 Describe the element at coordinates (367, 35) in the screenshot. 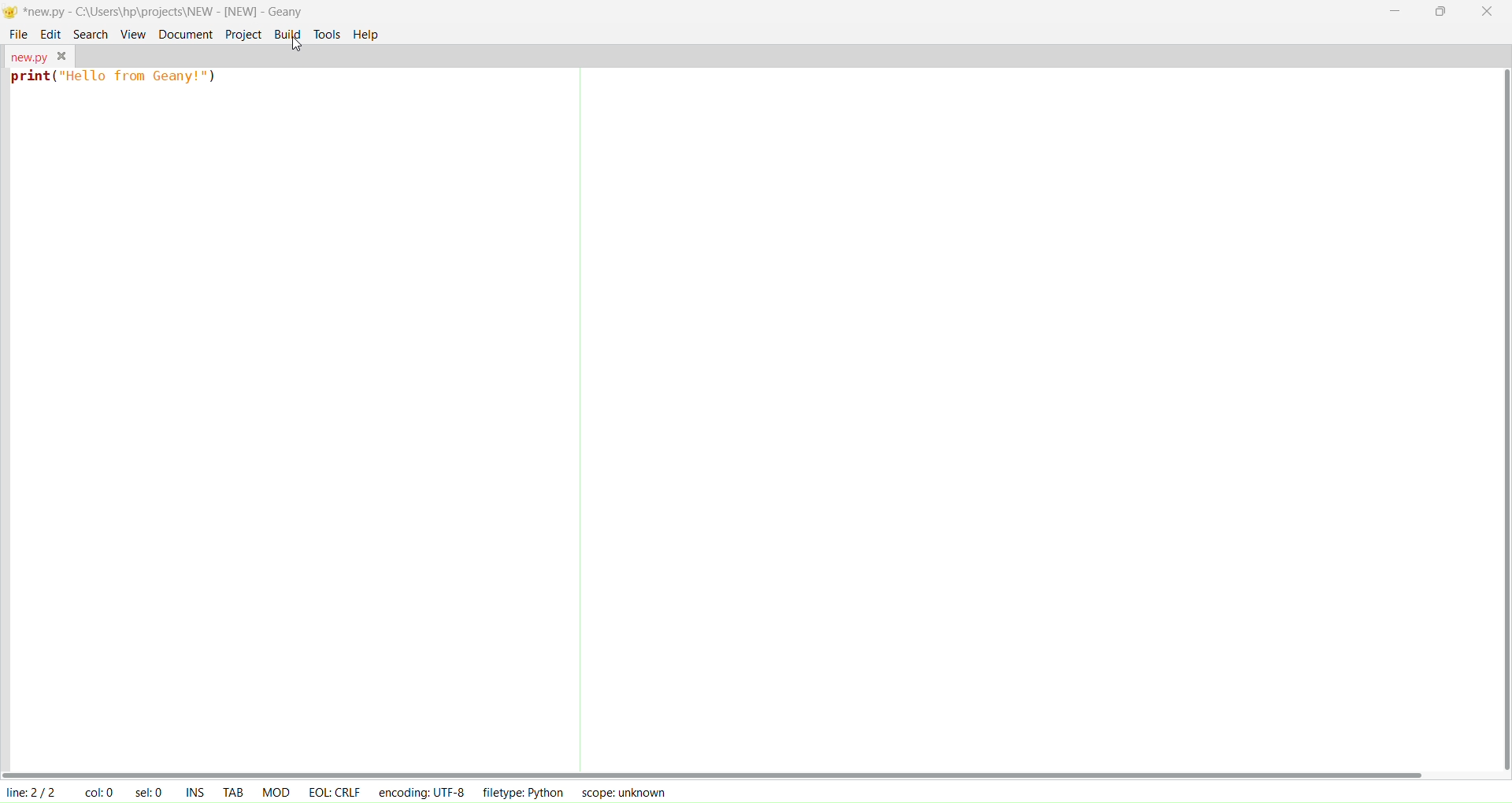

I see `help` at that location.